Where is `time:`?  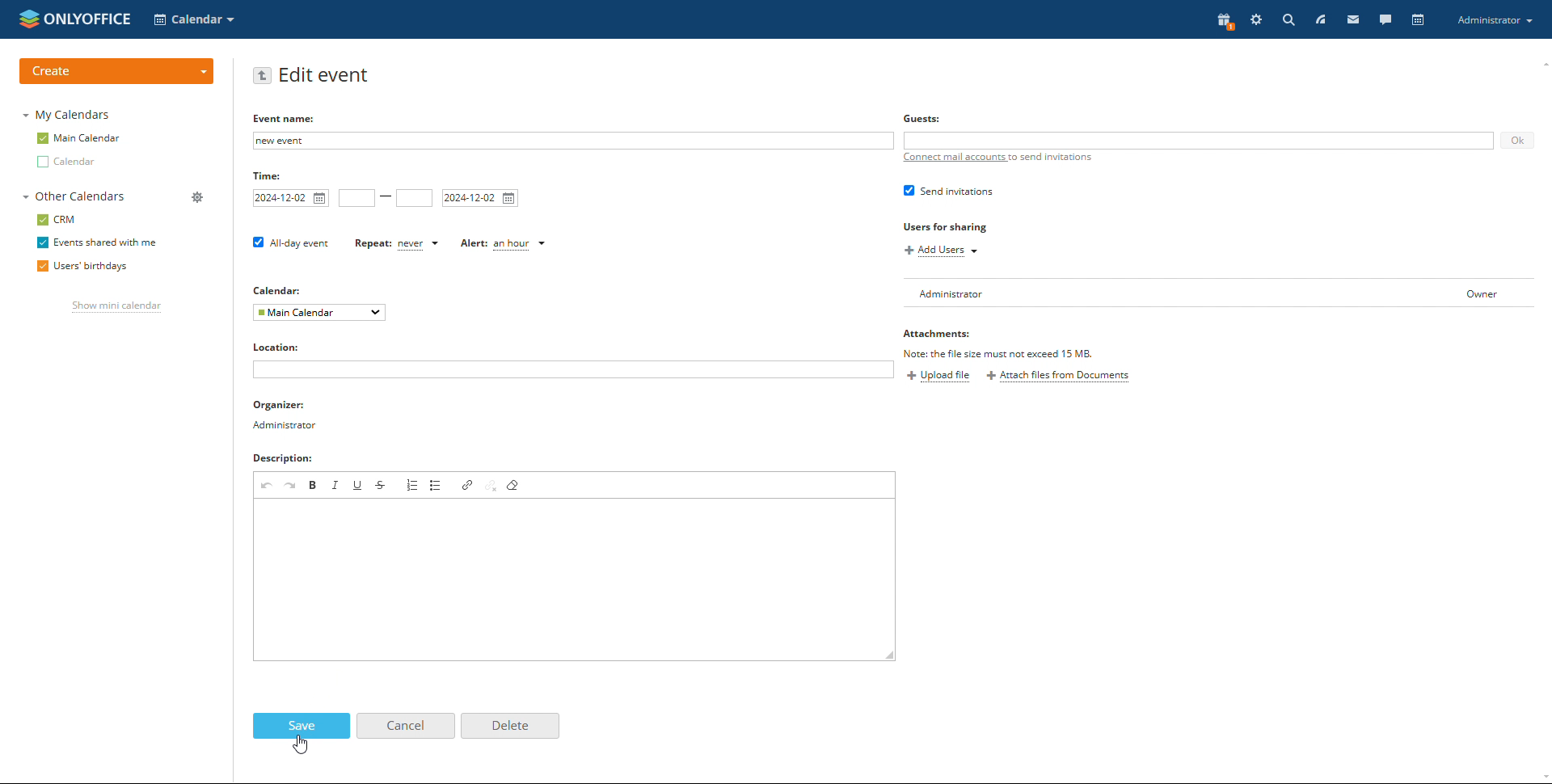 time: is located at coordinates (272, 176).